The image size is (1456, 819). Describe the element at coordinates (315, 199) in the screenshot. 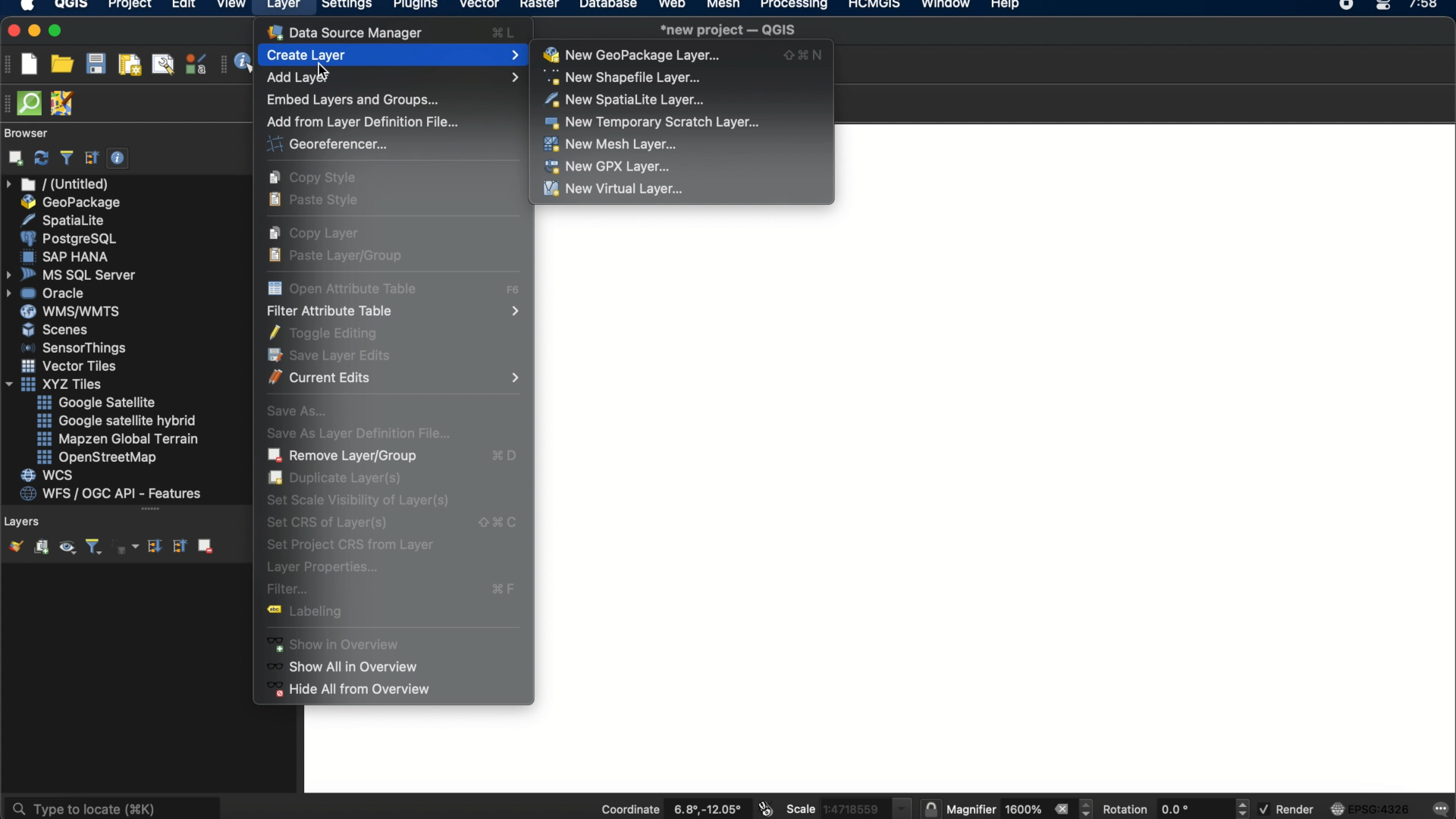

I see `paste style` at that location.